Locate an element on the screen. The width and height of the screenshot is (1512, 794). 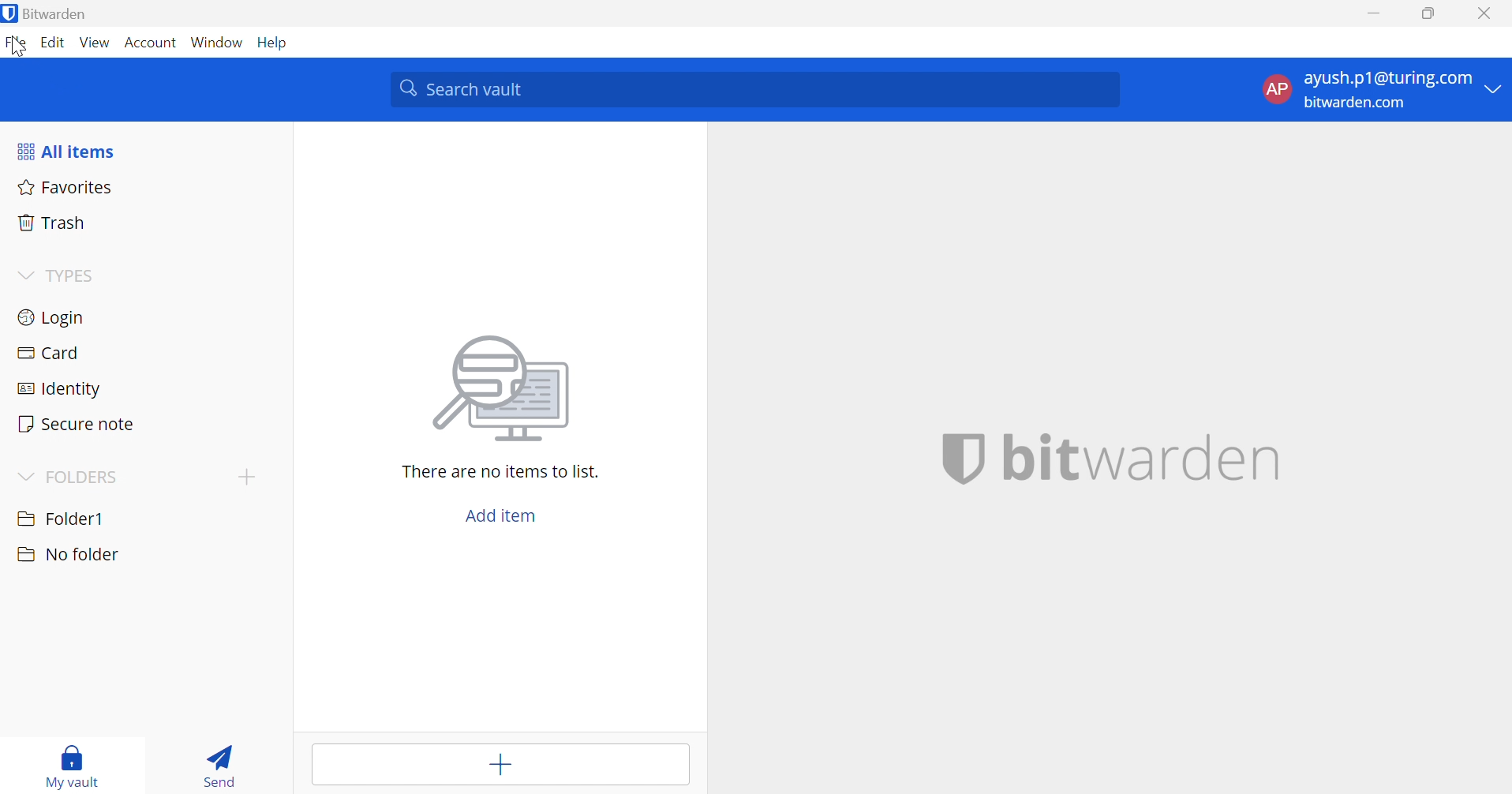
Trash is located at coordinates (55, 223).